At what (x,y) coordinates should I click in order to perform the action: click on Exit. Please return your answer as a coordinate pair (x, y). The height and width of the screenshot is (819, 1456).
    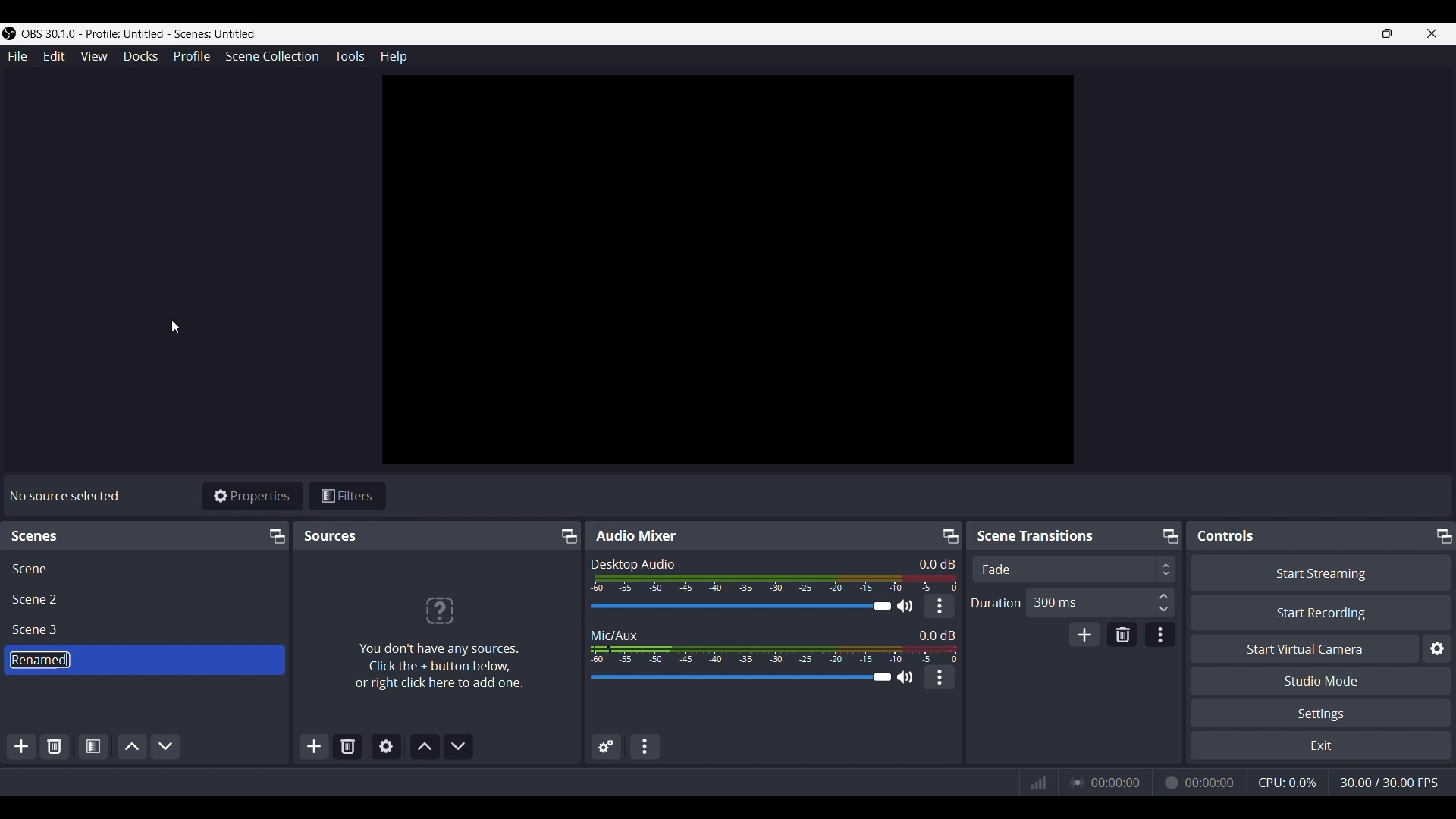
    Looking at the image, I should click on (1319, 746).